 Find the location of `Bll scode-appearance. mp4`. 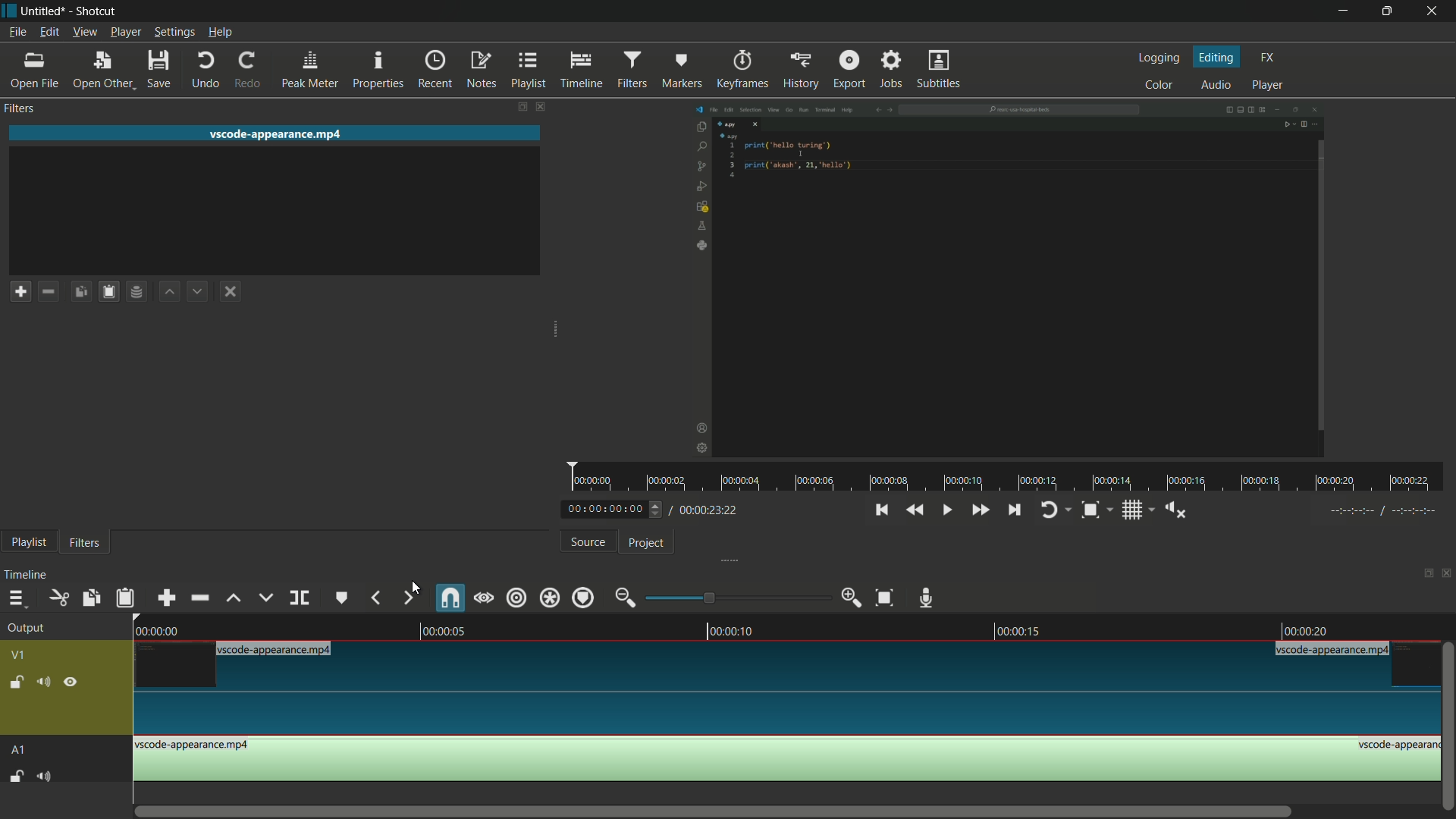

Bll scode-appearance. mp4 is located at coordinates (1335, 651).